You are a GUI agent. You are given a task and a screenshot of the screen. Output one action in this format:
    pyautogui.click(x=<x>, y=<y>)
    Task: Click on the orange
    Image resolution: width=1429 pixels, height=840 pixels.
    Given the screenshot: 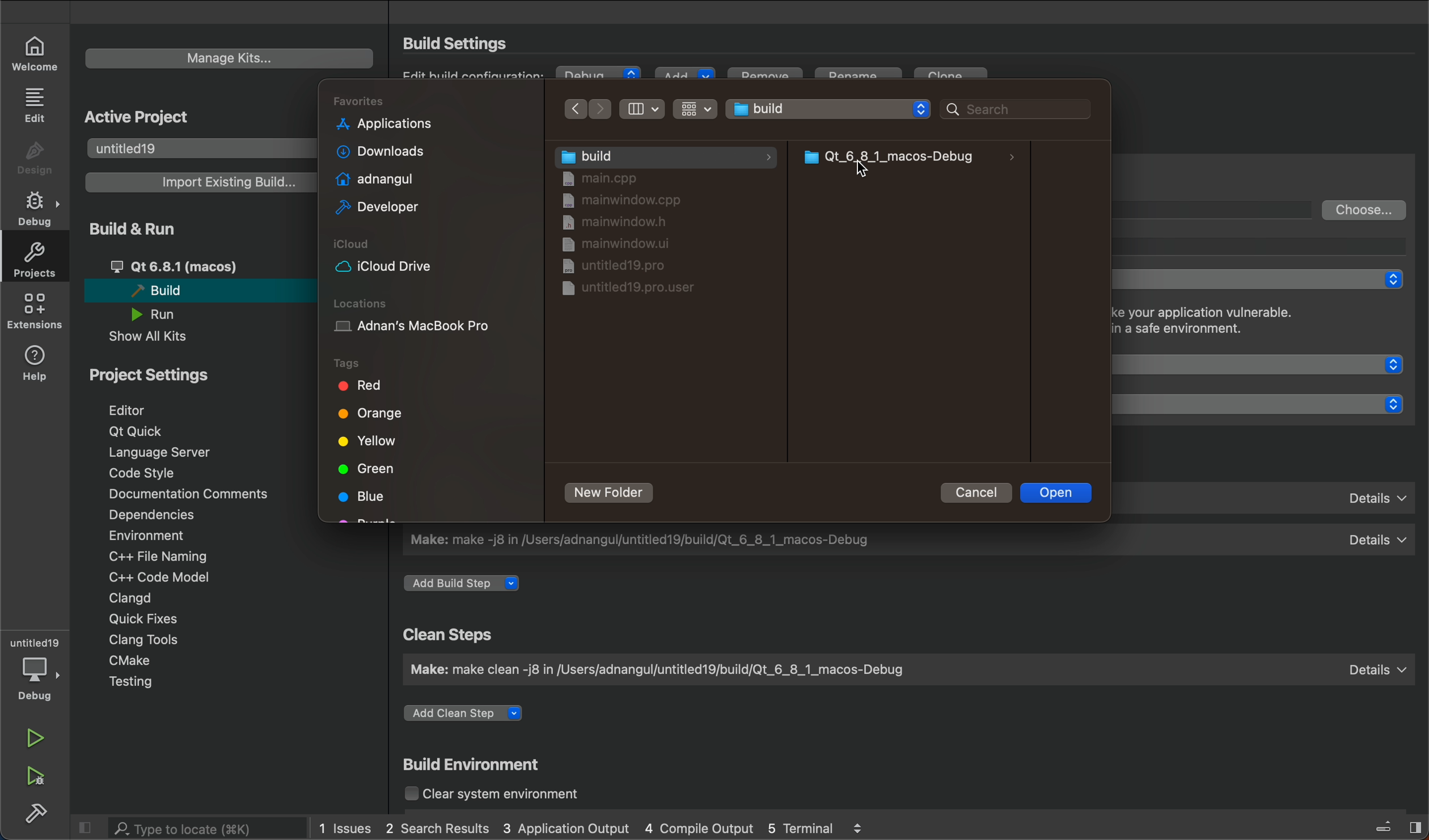 What is the action you would take?
    pyautogui.click(x=374, y=417)
    